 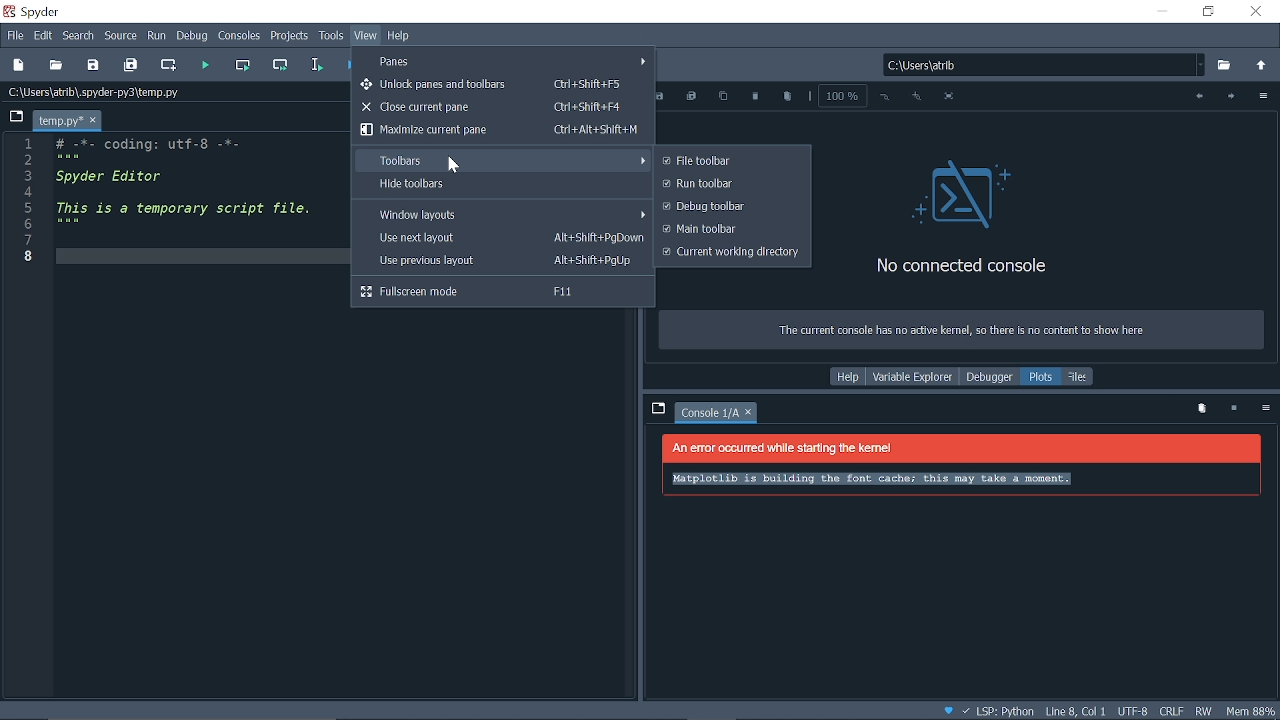 What do you see at coordinates (105, 92) in the screenshot?
I see `Location` at bounding box center [105, 92].